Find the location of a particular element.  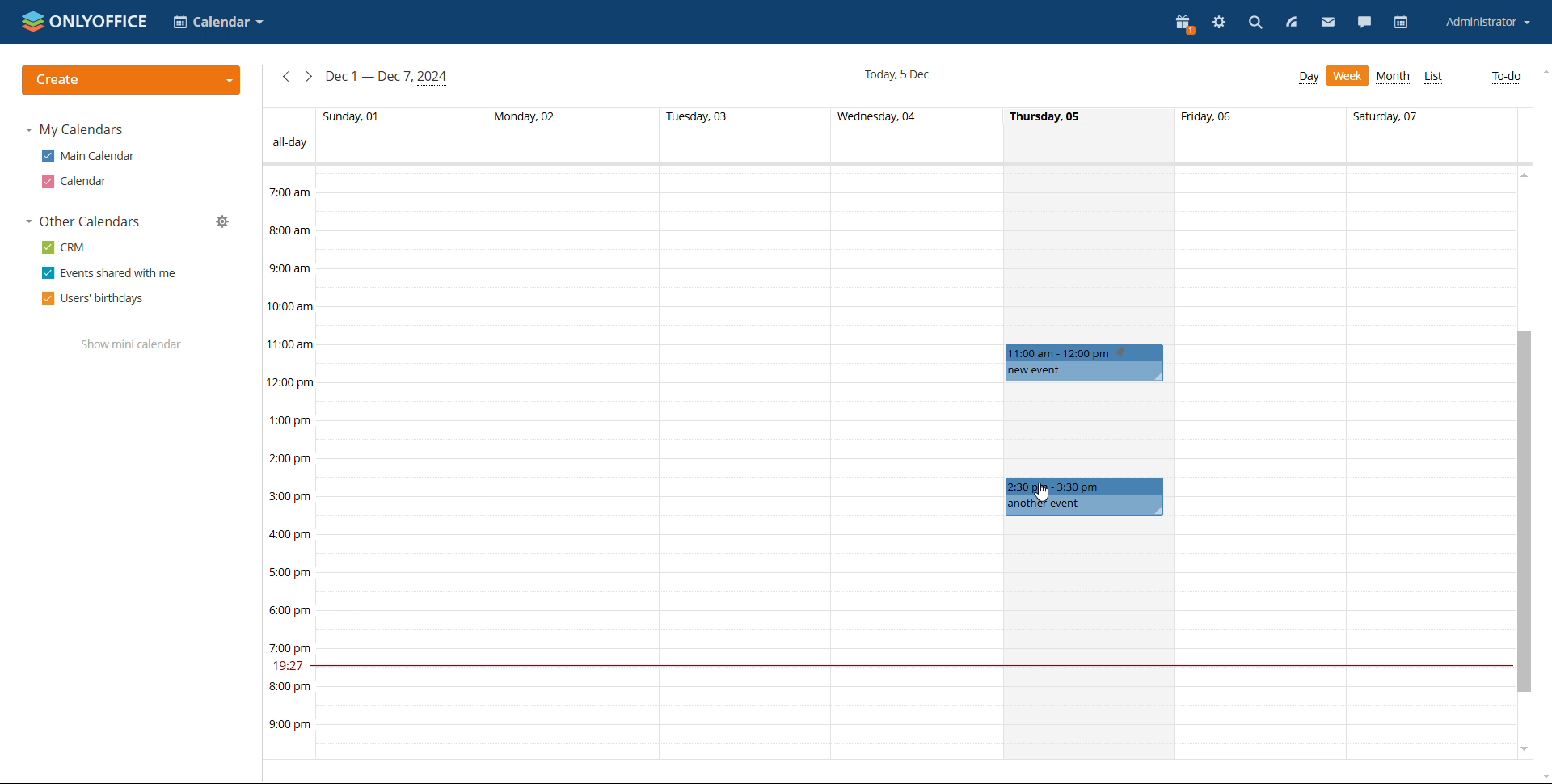

scroll down is located at coordinates (1542, 776).